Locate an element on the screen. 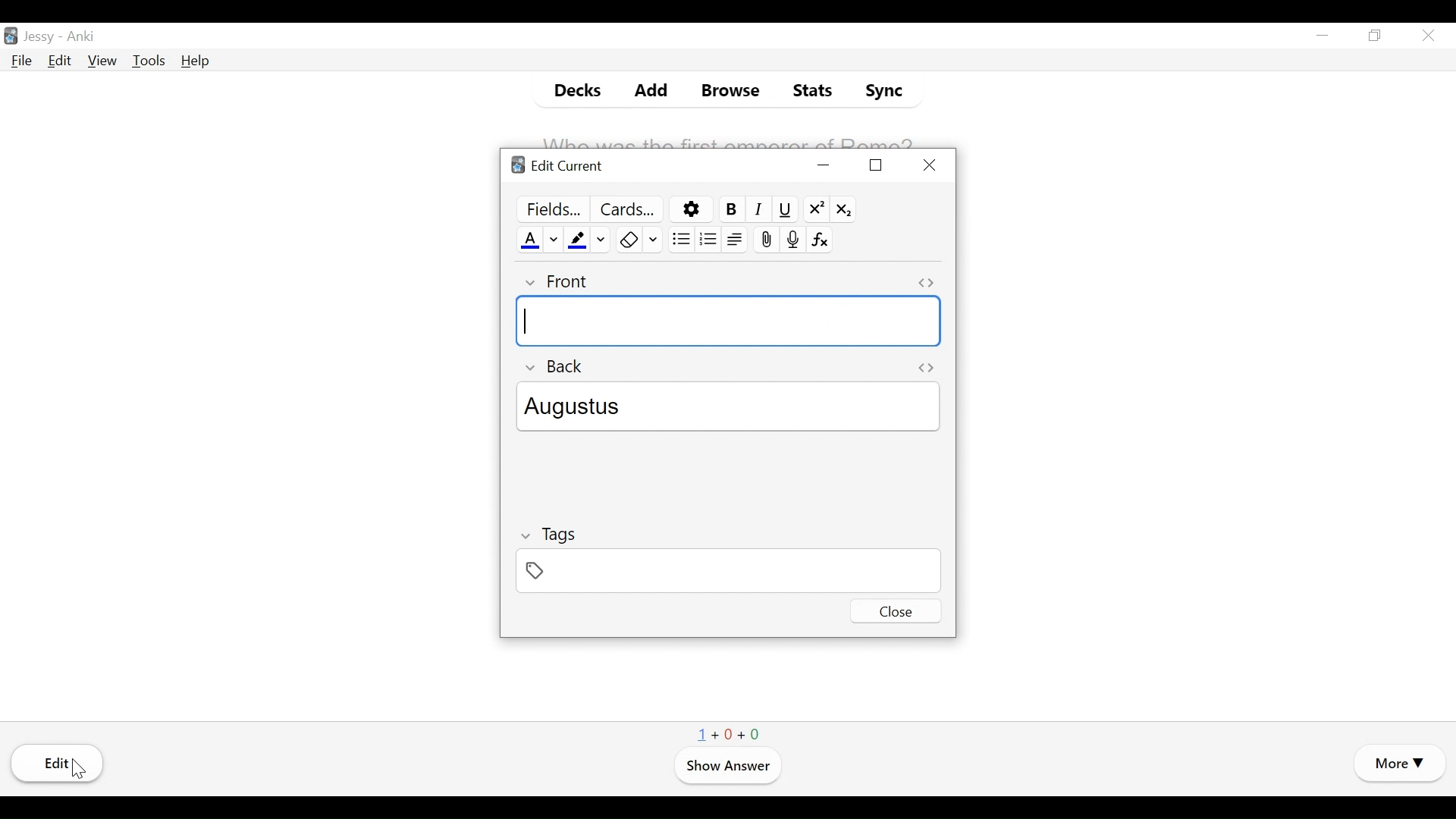  Show Answer is located at coordinates (726, 767).